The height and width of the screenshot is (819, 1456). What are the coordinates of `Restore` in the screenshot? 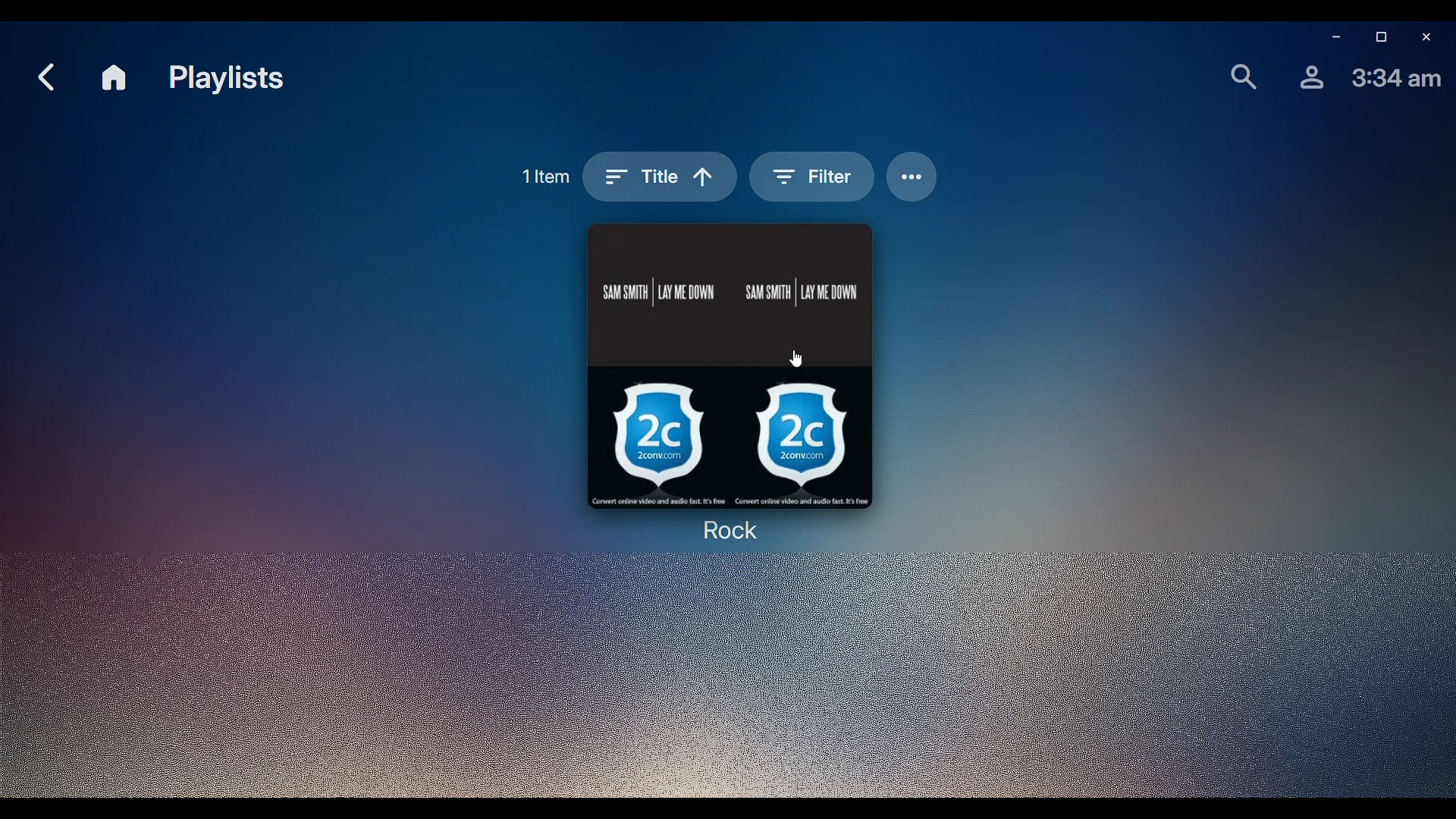 It's located at (1379, 38).